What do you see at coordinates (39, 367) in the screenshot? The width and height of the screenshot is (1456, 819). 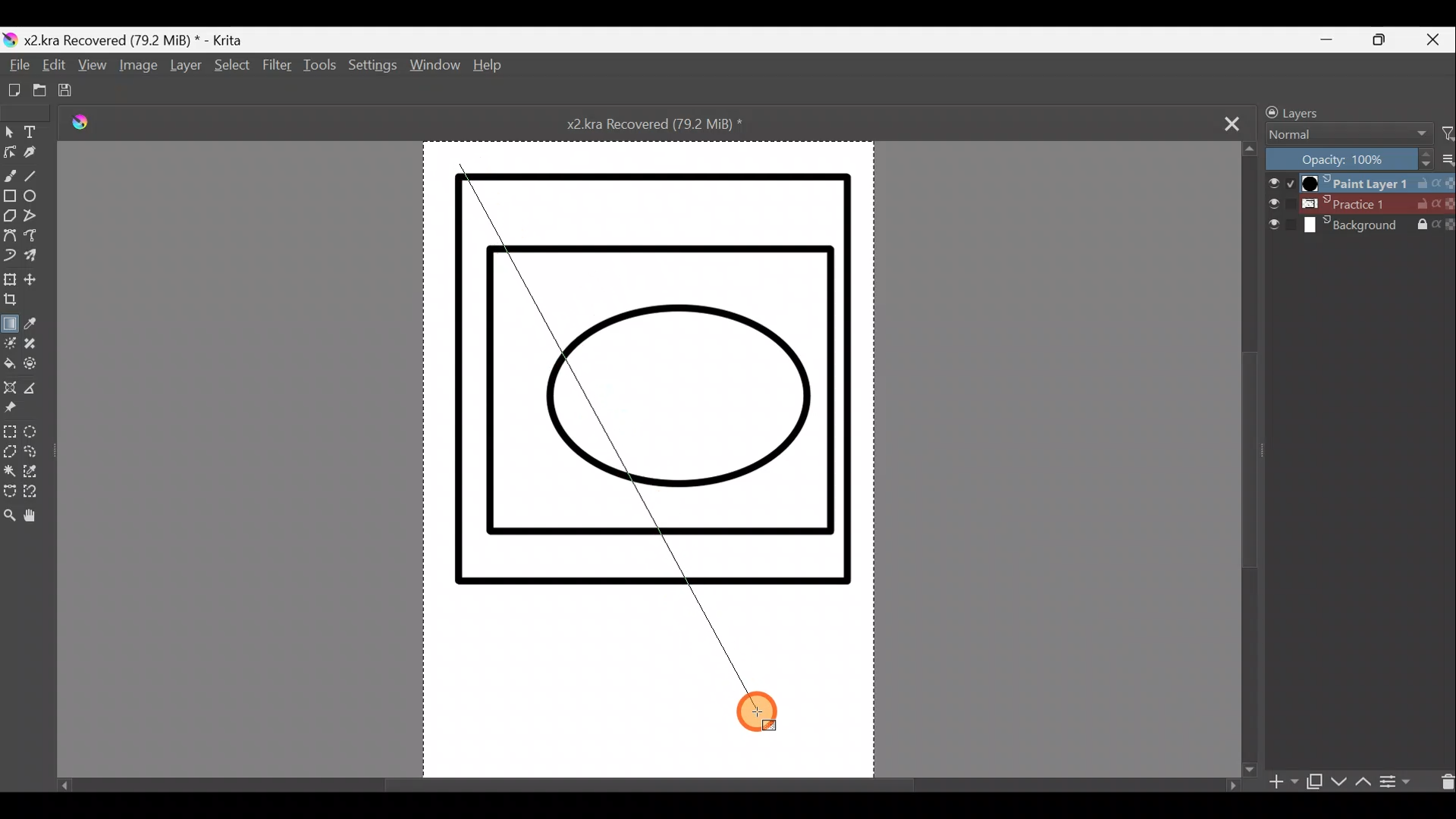 I see `Enclose & fill tool` at bounding box center [39, 367].